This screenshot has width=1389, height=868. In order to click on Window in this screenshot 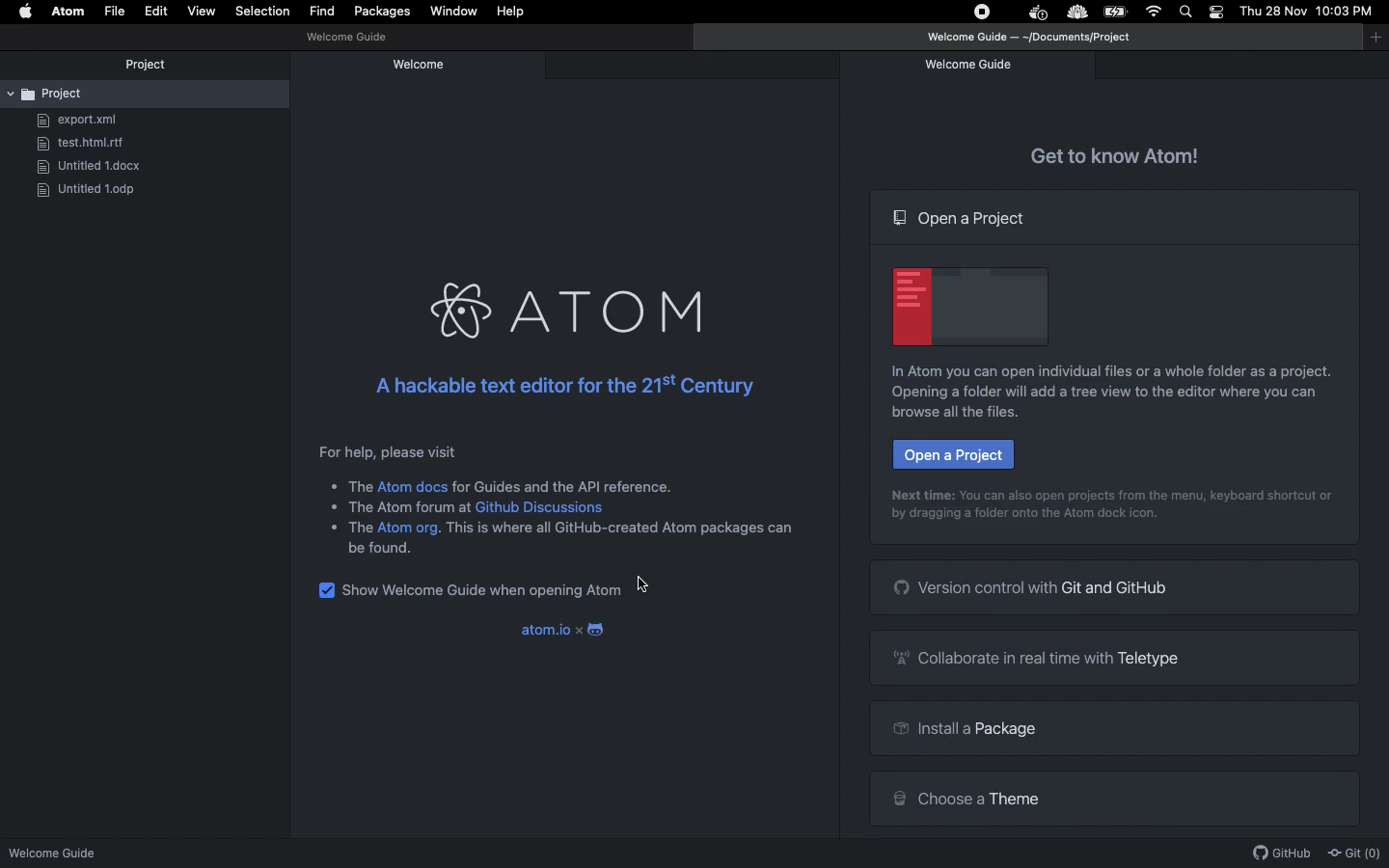, I will do `click(454, 12)`.